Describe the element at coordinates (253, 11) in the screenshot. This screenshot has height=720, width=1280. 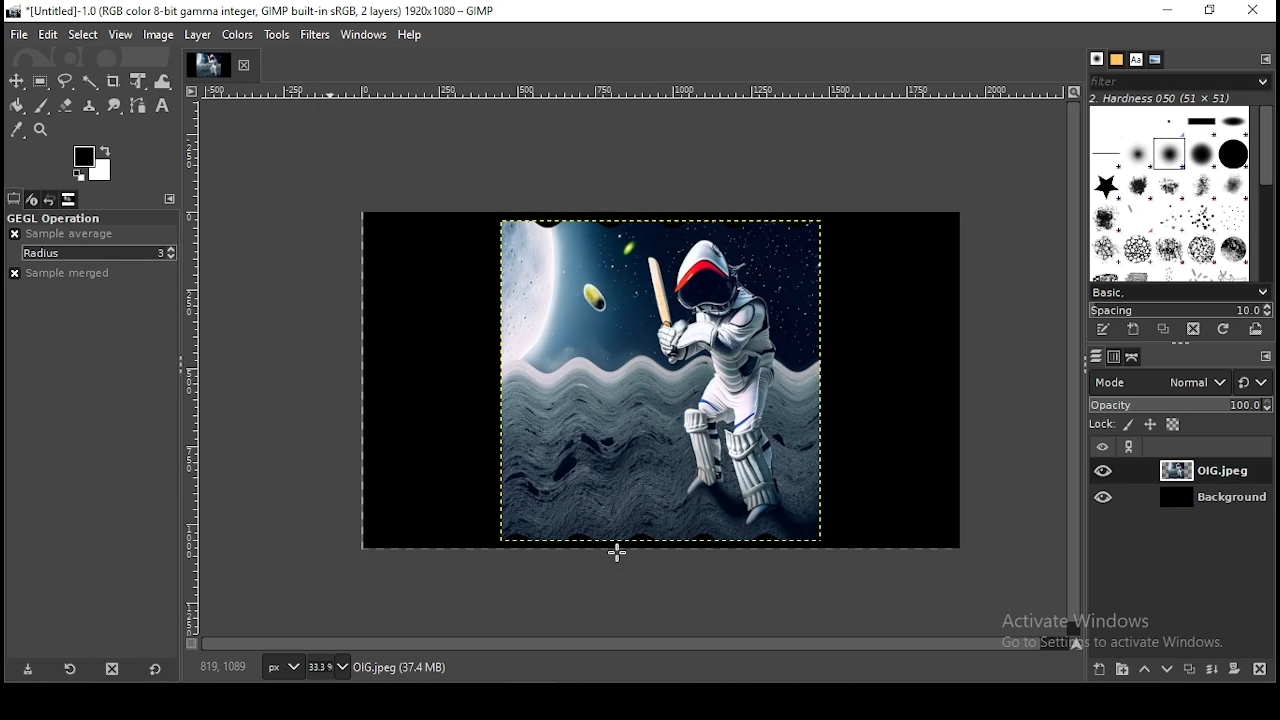
I see `icon and file name` at that location.